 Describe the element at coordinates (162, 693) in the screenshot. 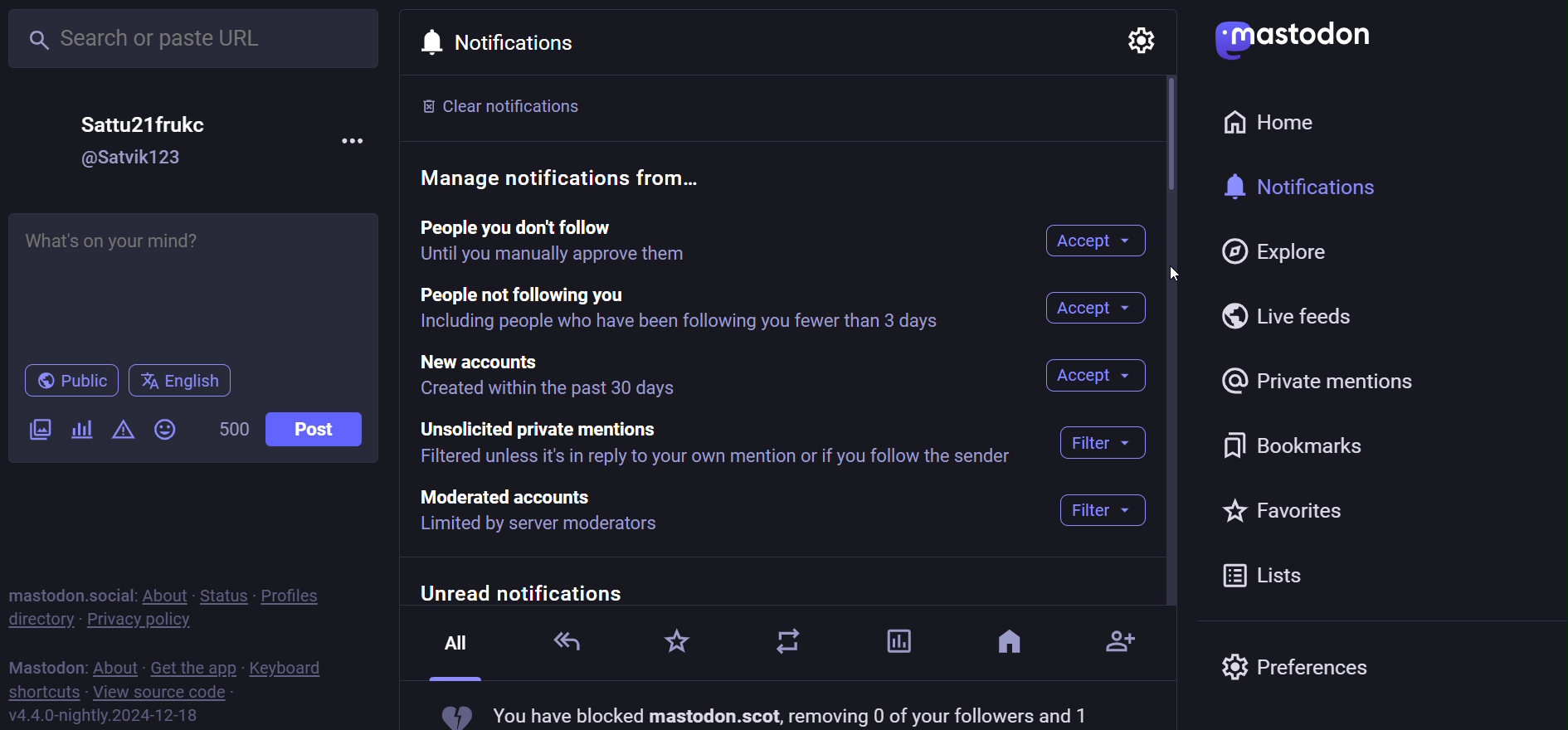

I see `view source code` at that location.